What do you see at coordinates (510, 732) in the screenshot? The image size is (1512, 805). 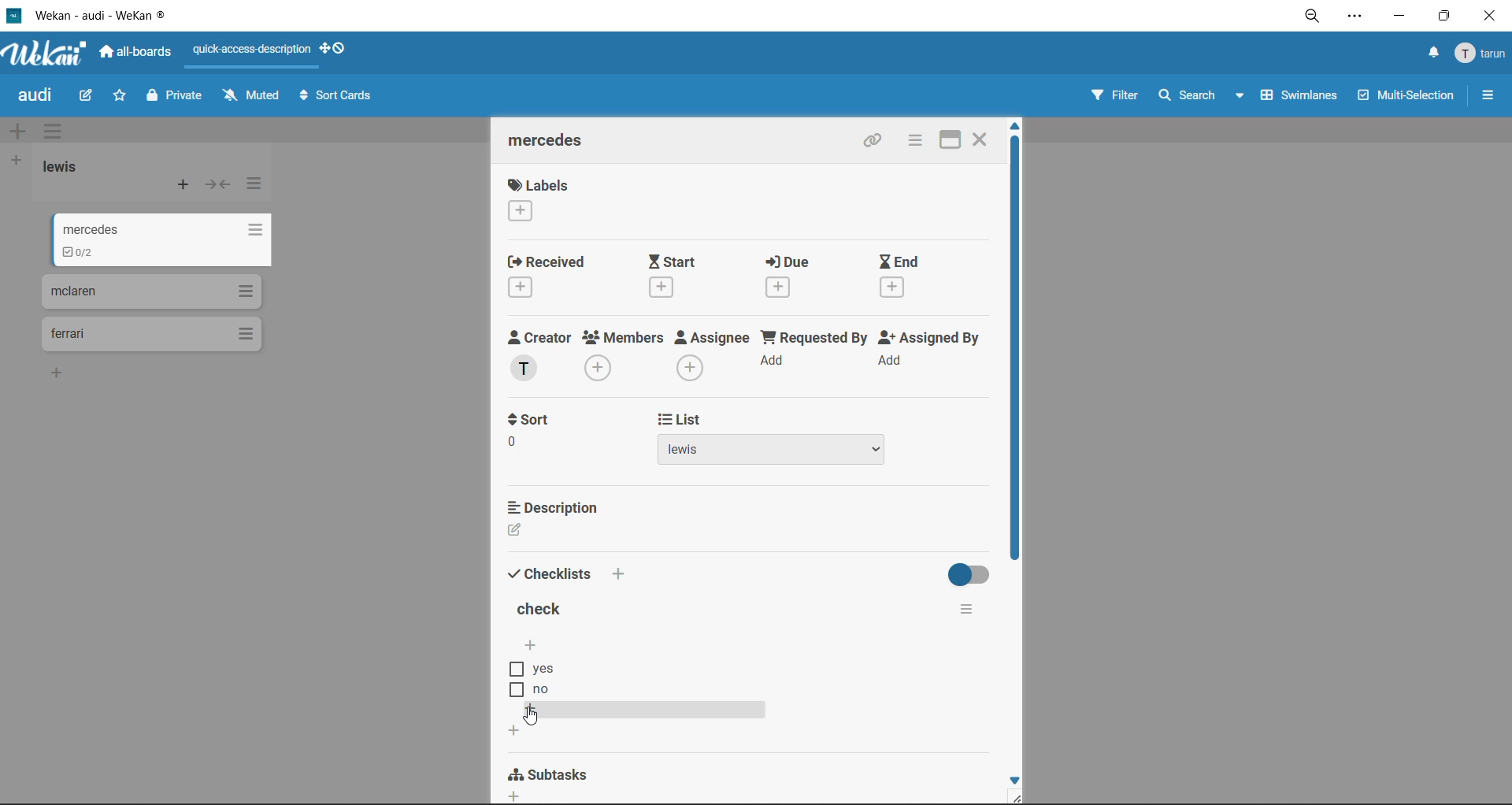 I see `add checklist` at bounding box center [510, 732].